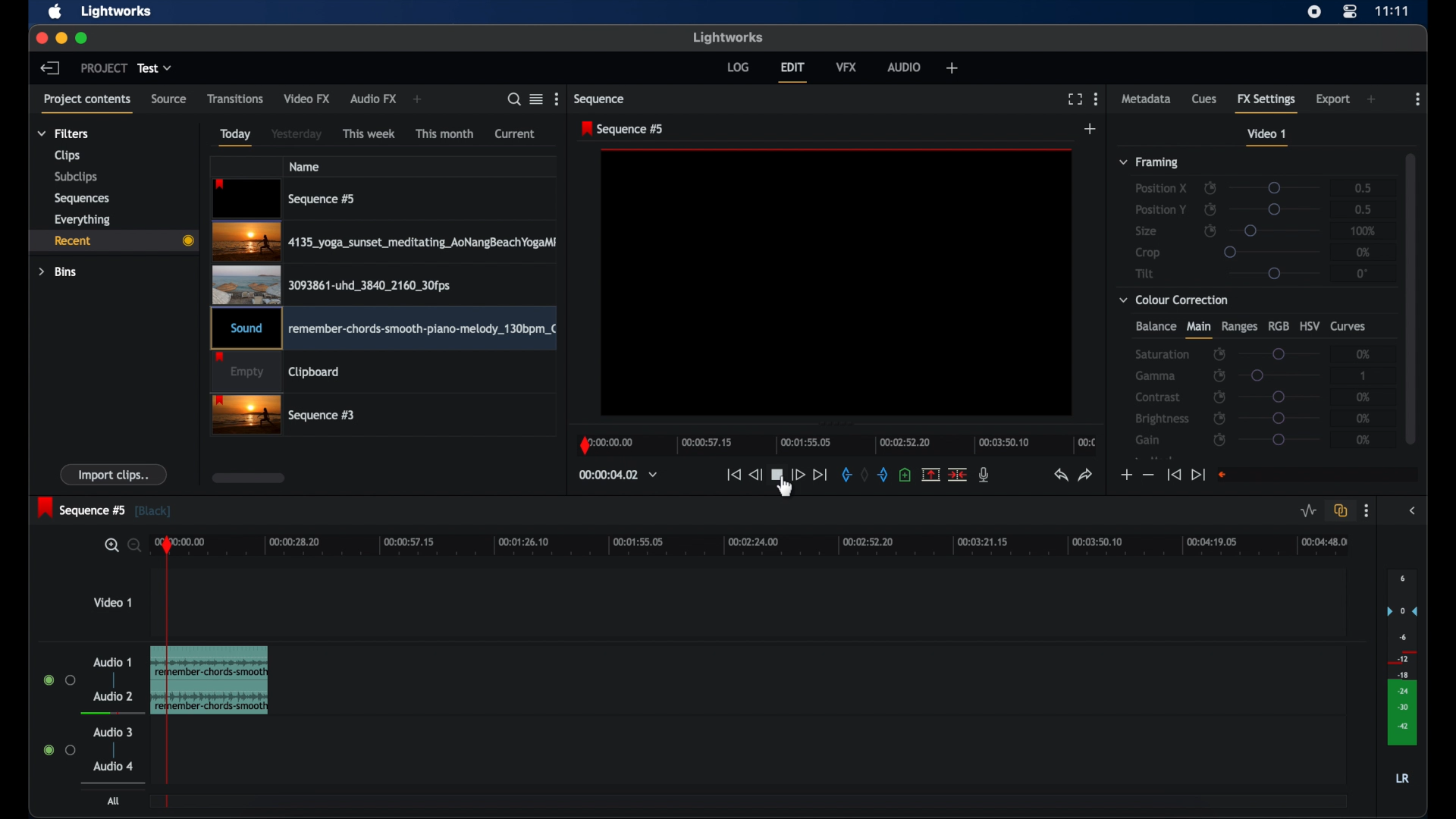 The image size is (1456, 819). Describe the element at coordinates (864, 475) in the screenshot. I see `clear marks` at that location.